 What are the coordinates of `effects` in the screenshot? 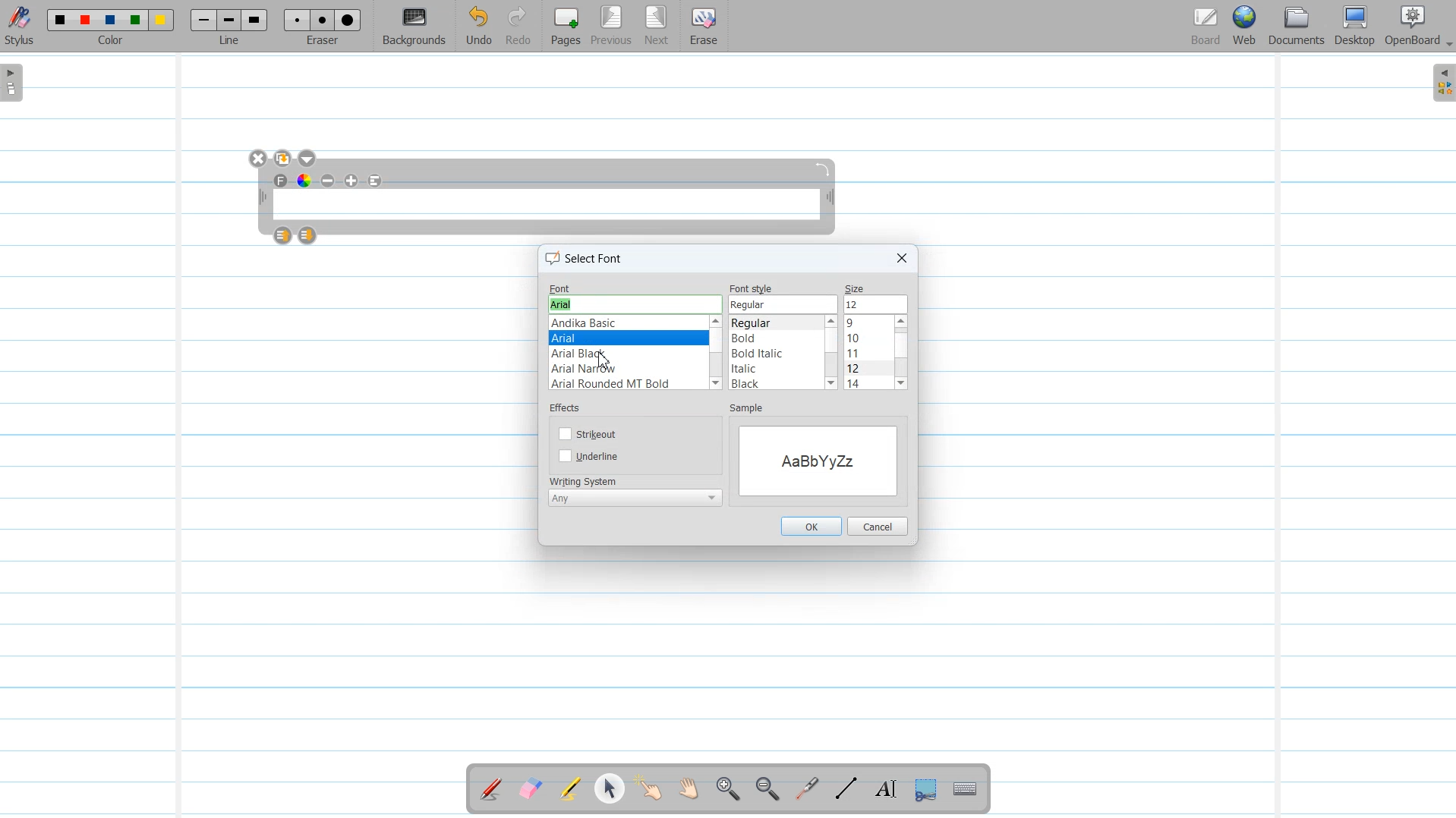 It's located at (568, 408).